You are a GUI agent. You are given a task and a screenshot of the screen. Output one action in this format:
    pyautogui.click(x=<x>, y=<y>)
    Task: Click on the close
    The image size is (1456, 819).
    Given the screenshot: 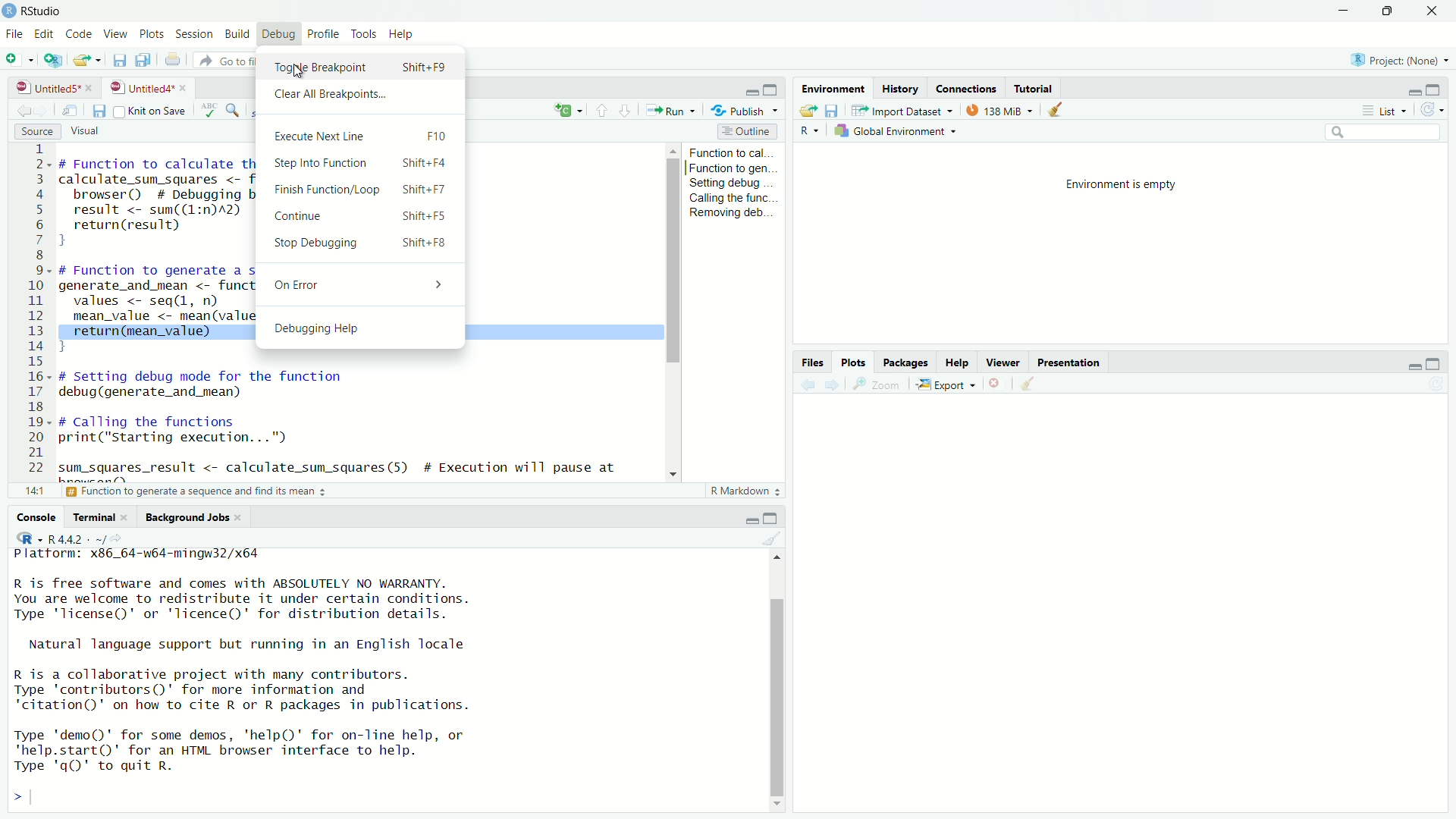 What is the action you would take?
    pyautogui.click(x=96, y=86)
    